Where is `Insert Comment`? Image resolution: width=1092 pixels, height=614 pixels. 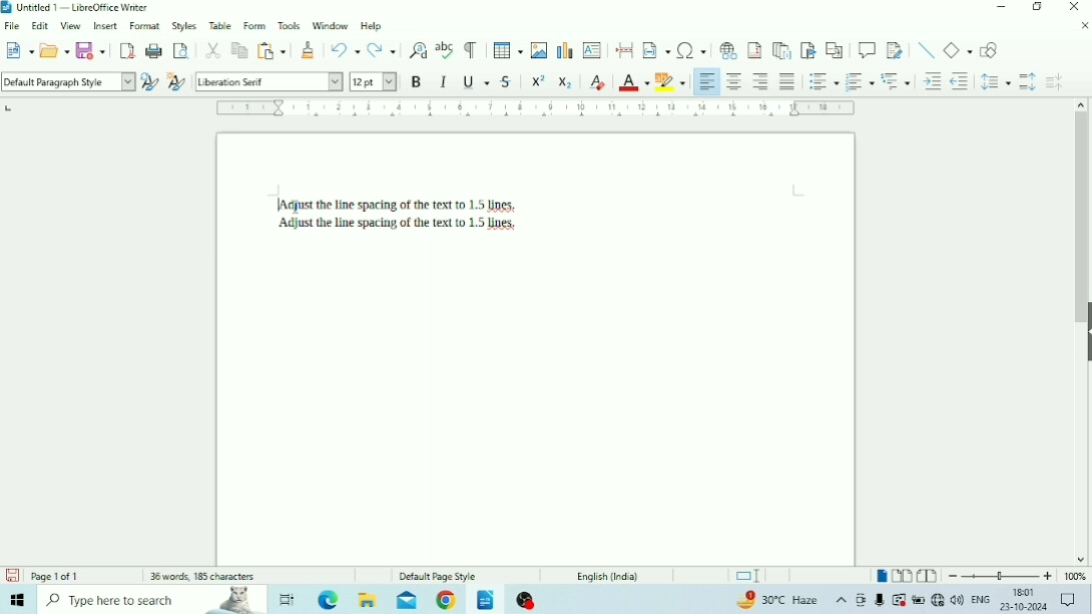
Insert Comment is located at coordinates (867, 50).